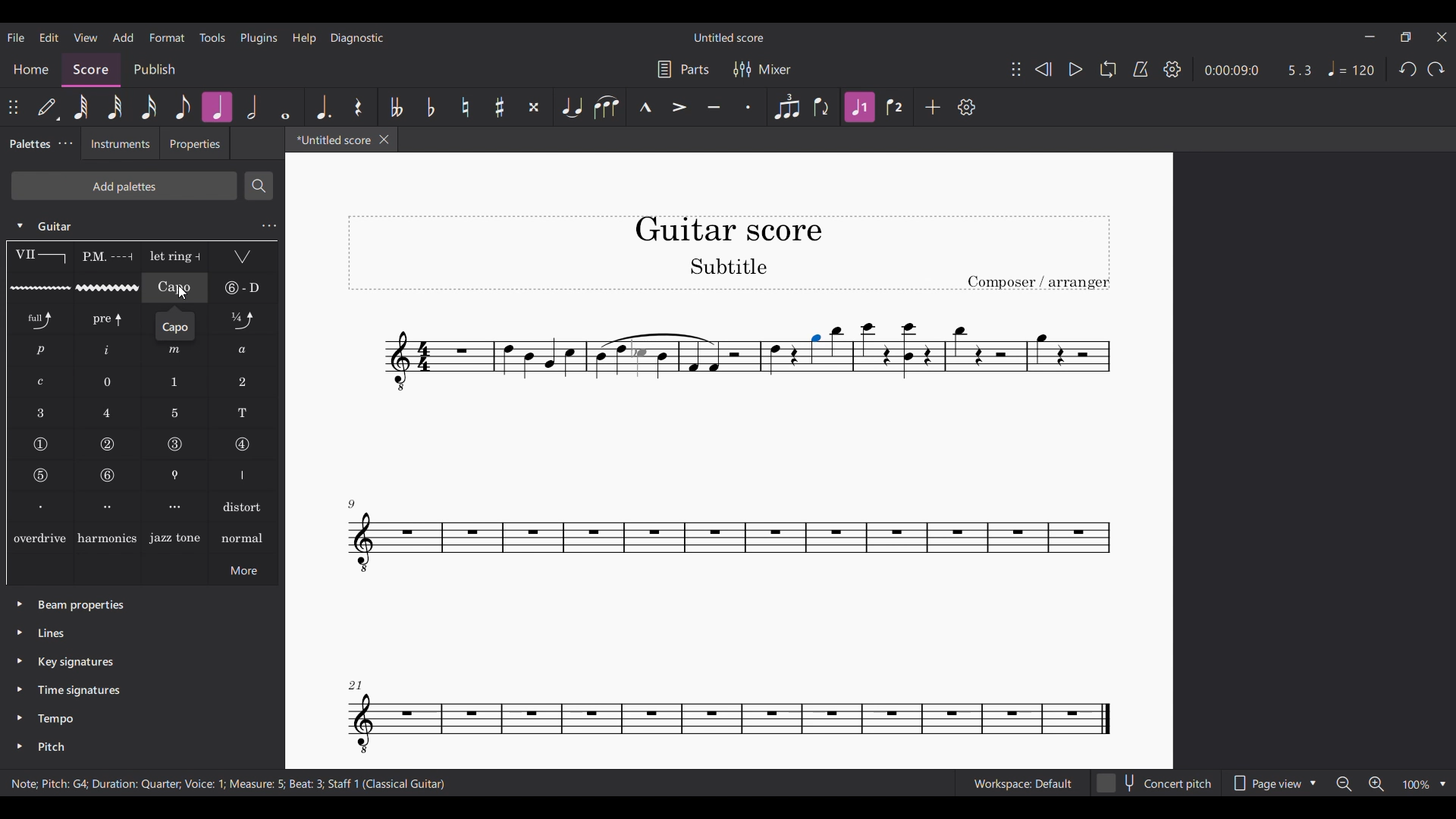 Image resolution: width=1456 pixels, height=819 pixels. Describe the element at coordinates (124, 186) in the screenshot. I see `Add palette` at that location.